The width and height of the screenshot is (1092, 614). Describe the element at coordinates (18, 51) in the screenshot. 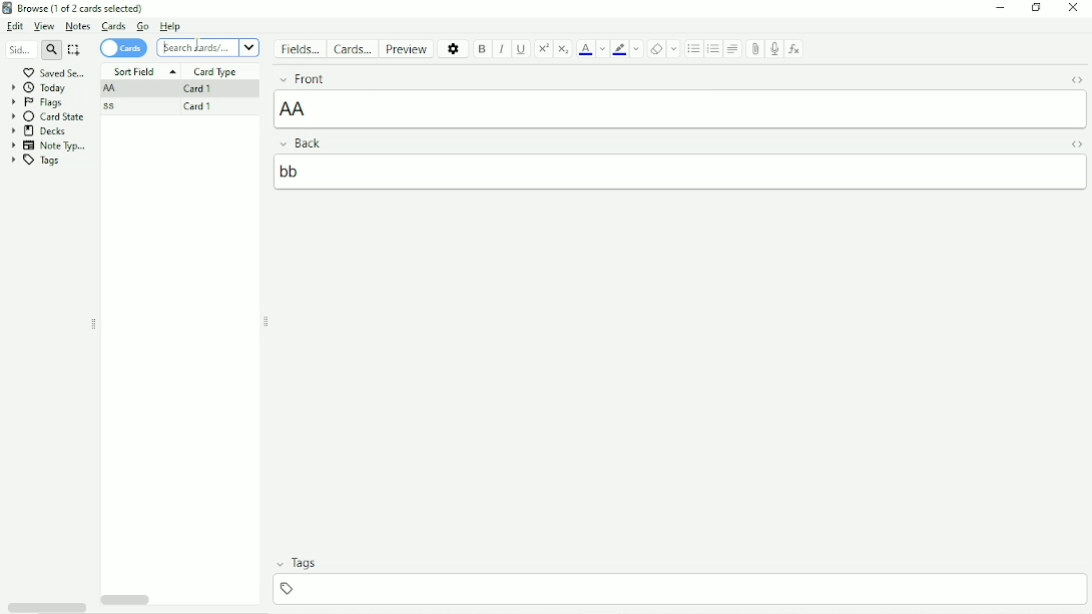

I see `Search in sidebar` at that location.